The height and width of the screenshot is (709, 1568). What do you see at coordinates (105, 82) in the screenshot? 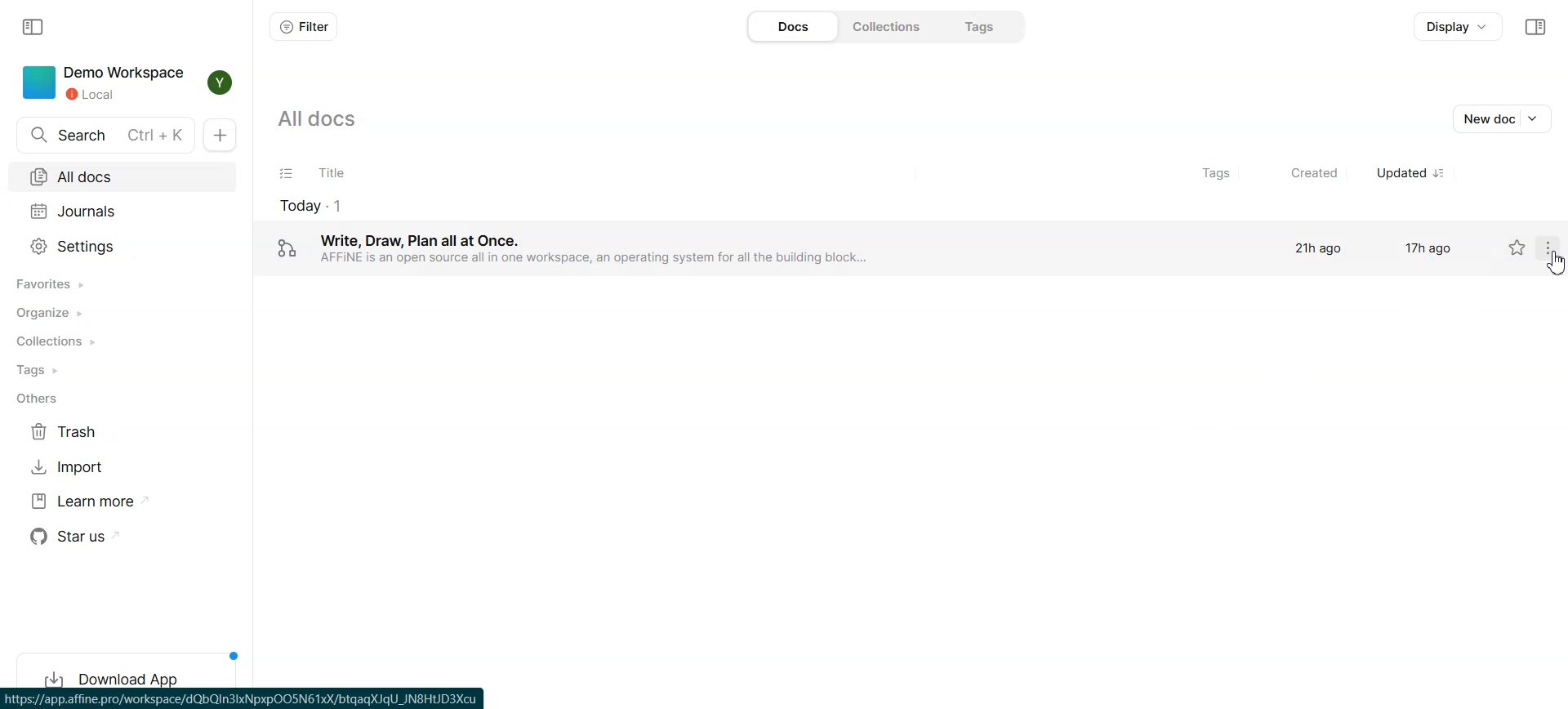
I see `Demo Workspace` at bounding box center [105, 82].